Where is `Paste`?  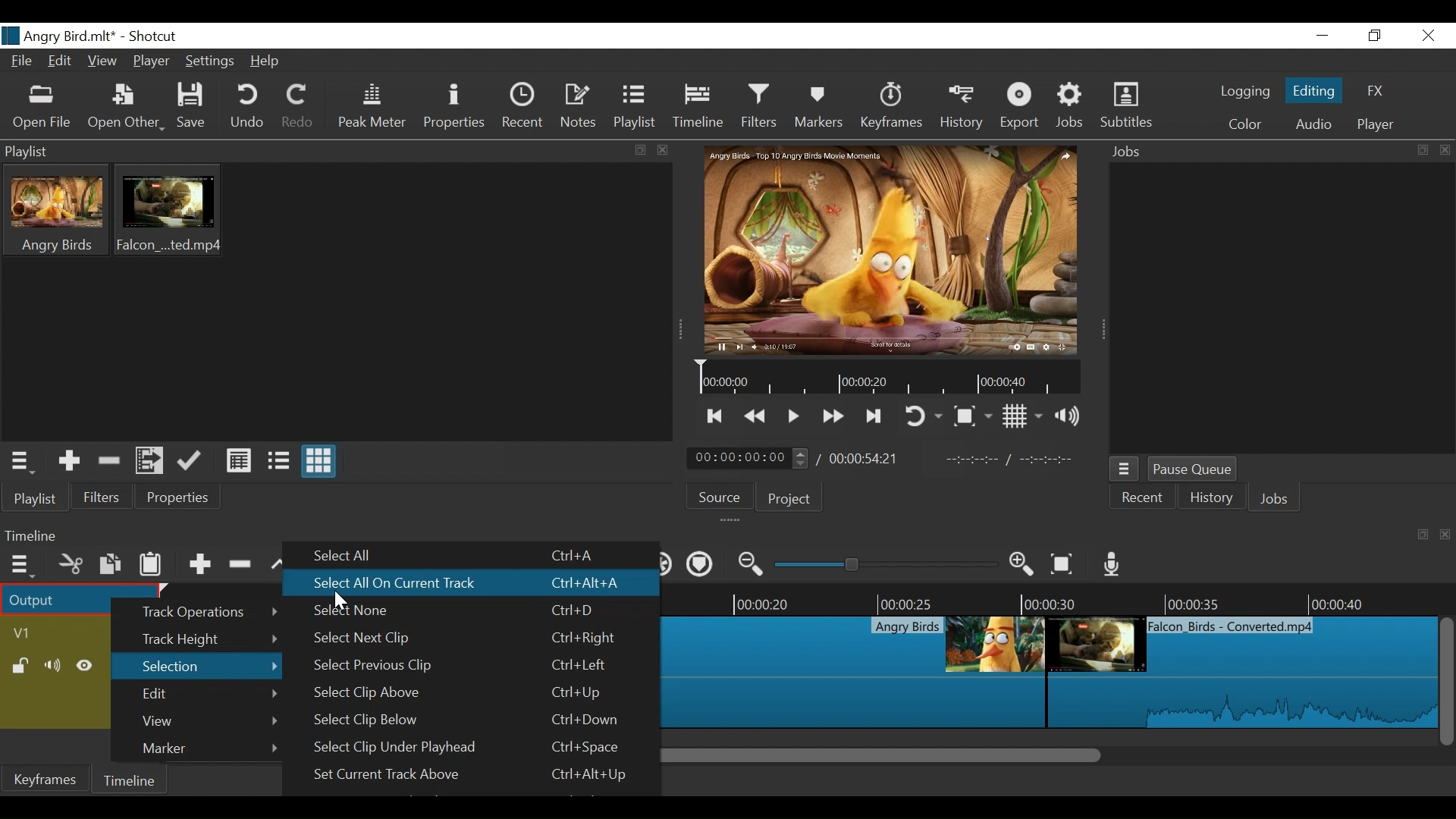
Paste is located at coordinates (151, 563).